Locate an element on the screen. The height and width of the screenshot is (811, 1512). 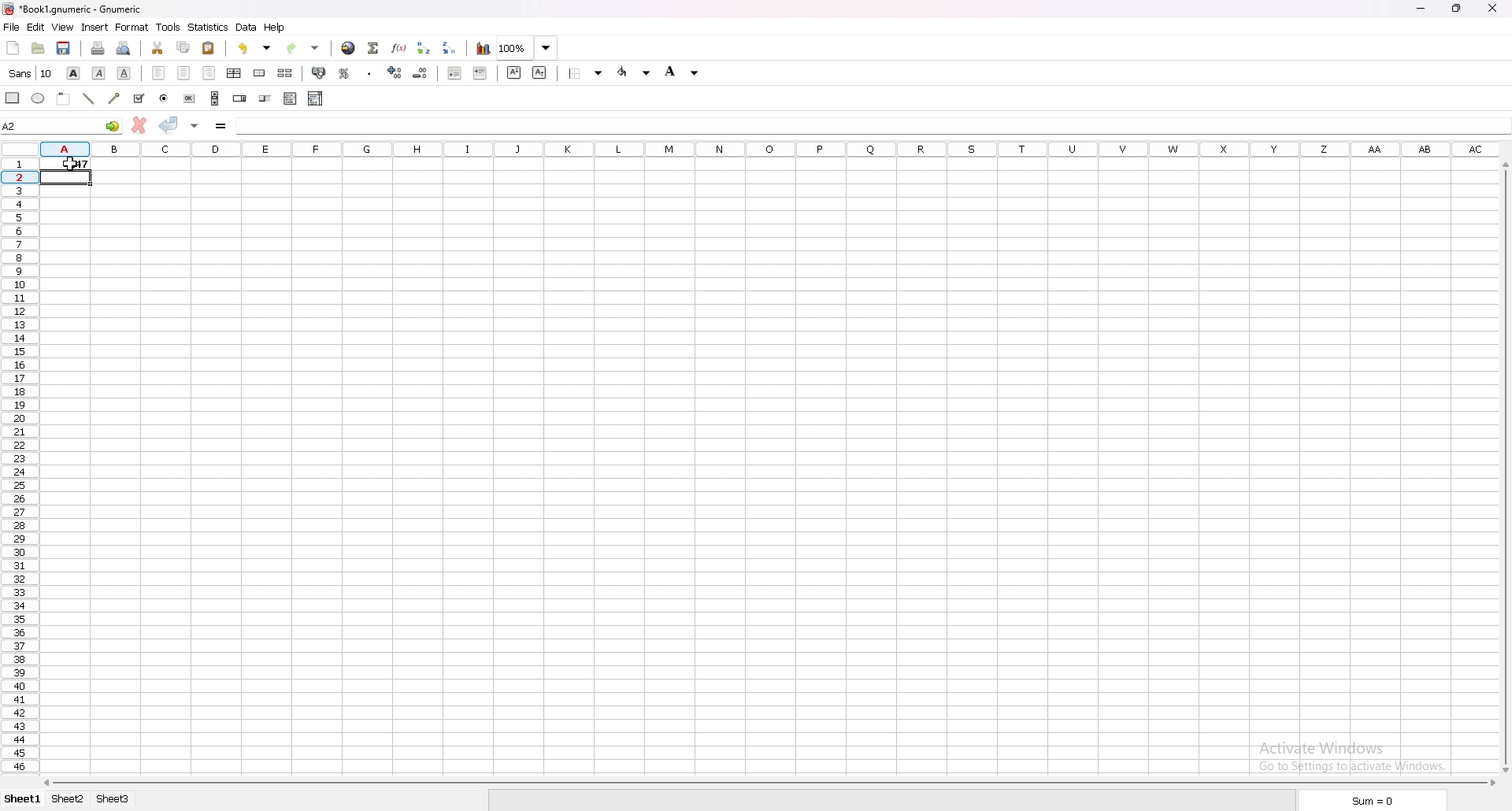
file is located at coordinates (11, 28).